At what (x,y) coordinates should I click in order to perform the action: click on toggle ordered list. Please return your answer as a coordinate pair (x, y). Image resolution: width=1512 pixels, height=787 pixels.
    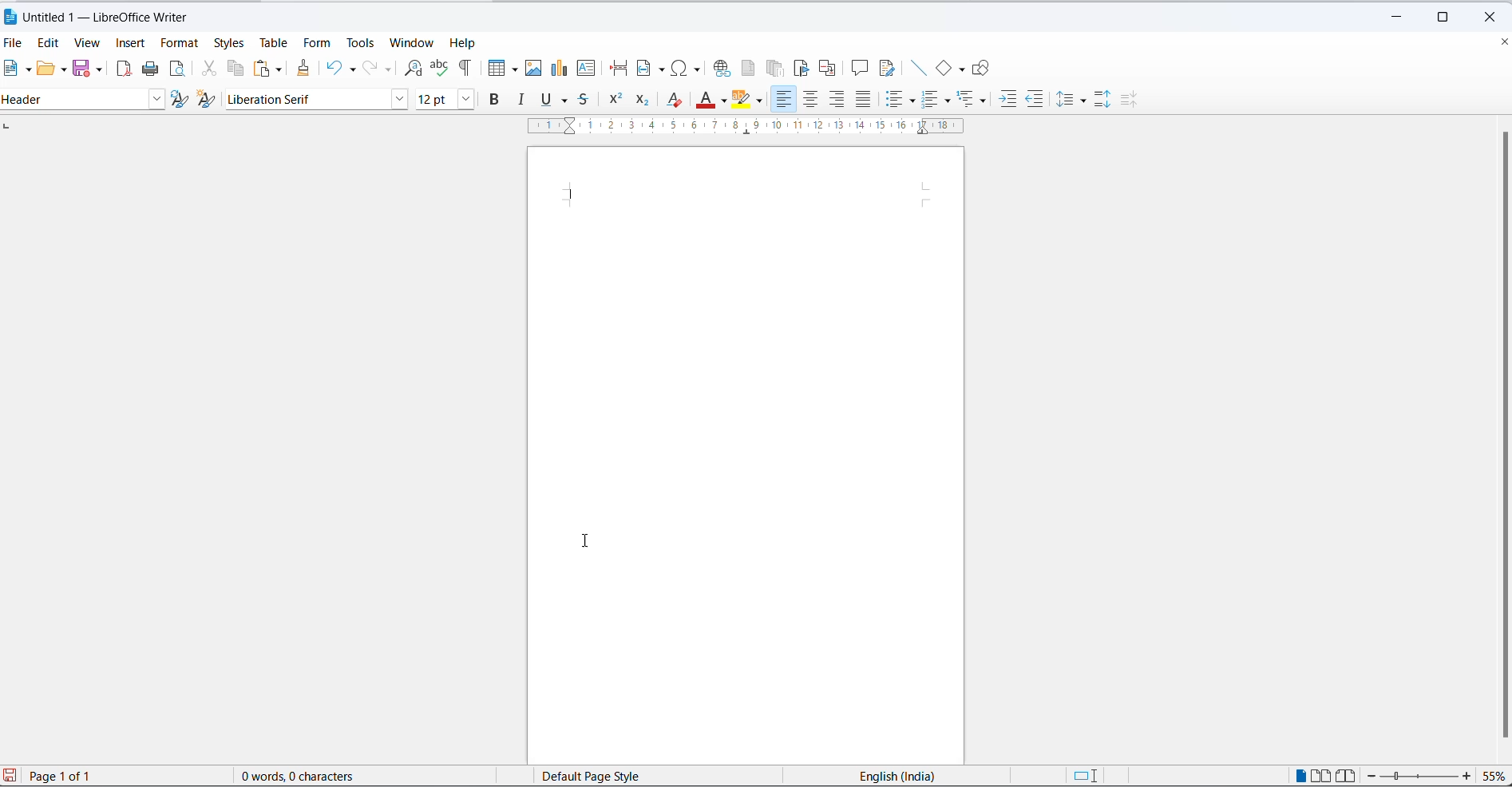
    Looking at the image, I should click on (933, 99).